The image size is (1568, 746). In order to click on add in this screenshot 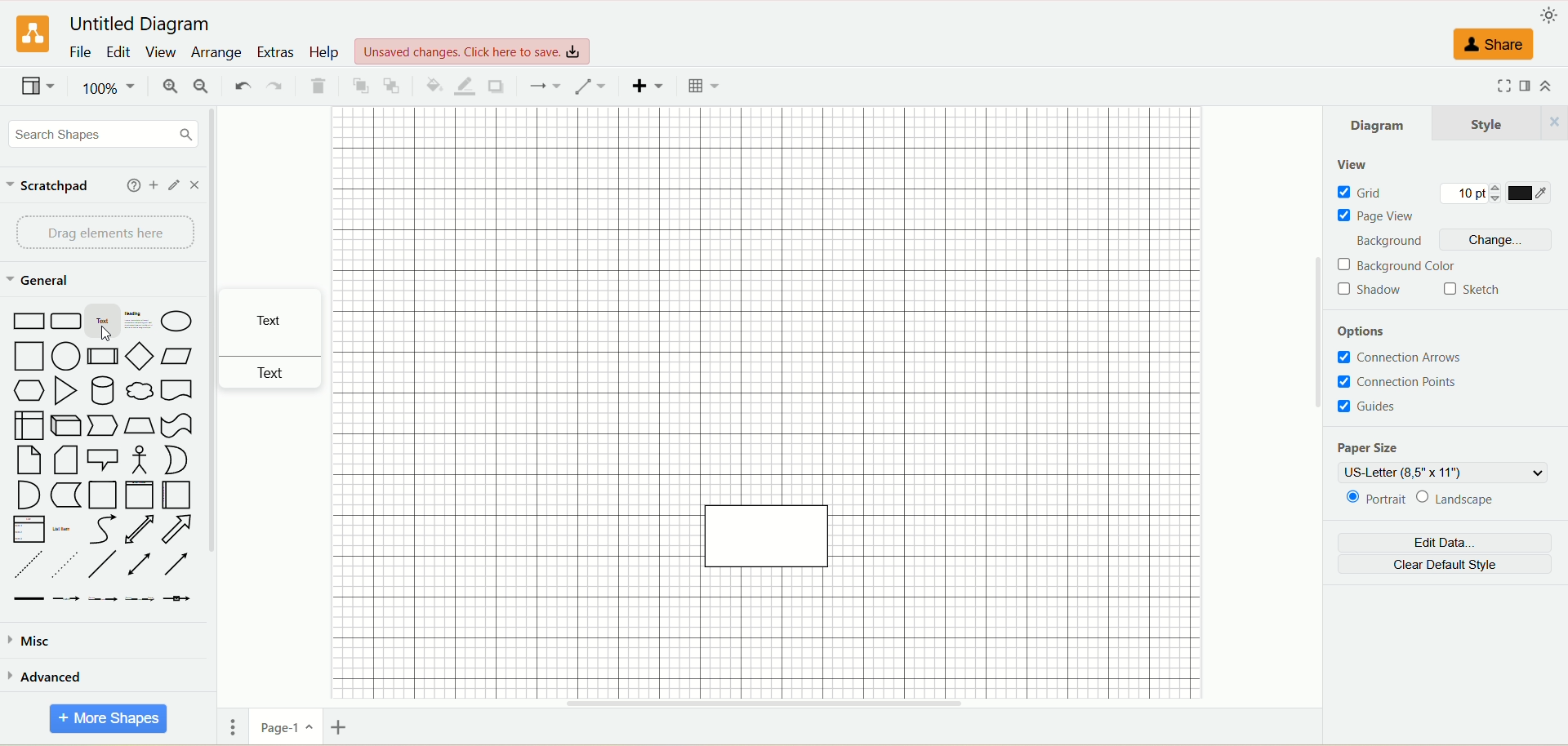, I will do `click(151, 186)`.